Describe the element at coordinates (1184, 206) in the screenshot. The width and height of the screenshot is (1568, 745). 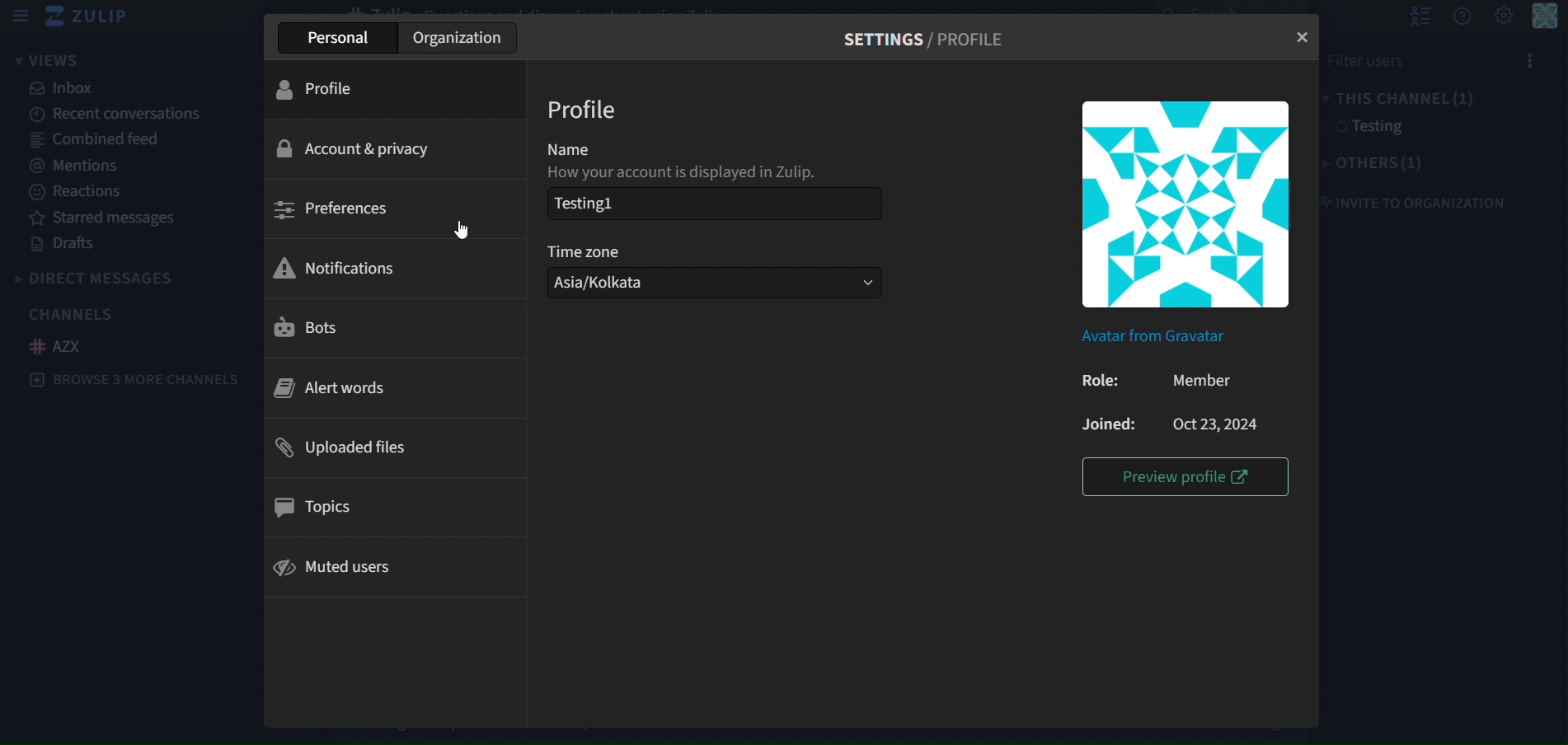
I see `icon` at that location.